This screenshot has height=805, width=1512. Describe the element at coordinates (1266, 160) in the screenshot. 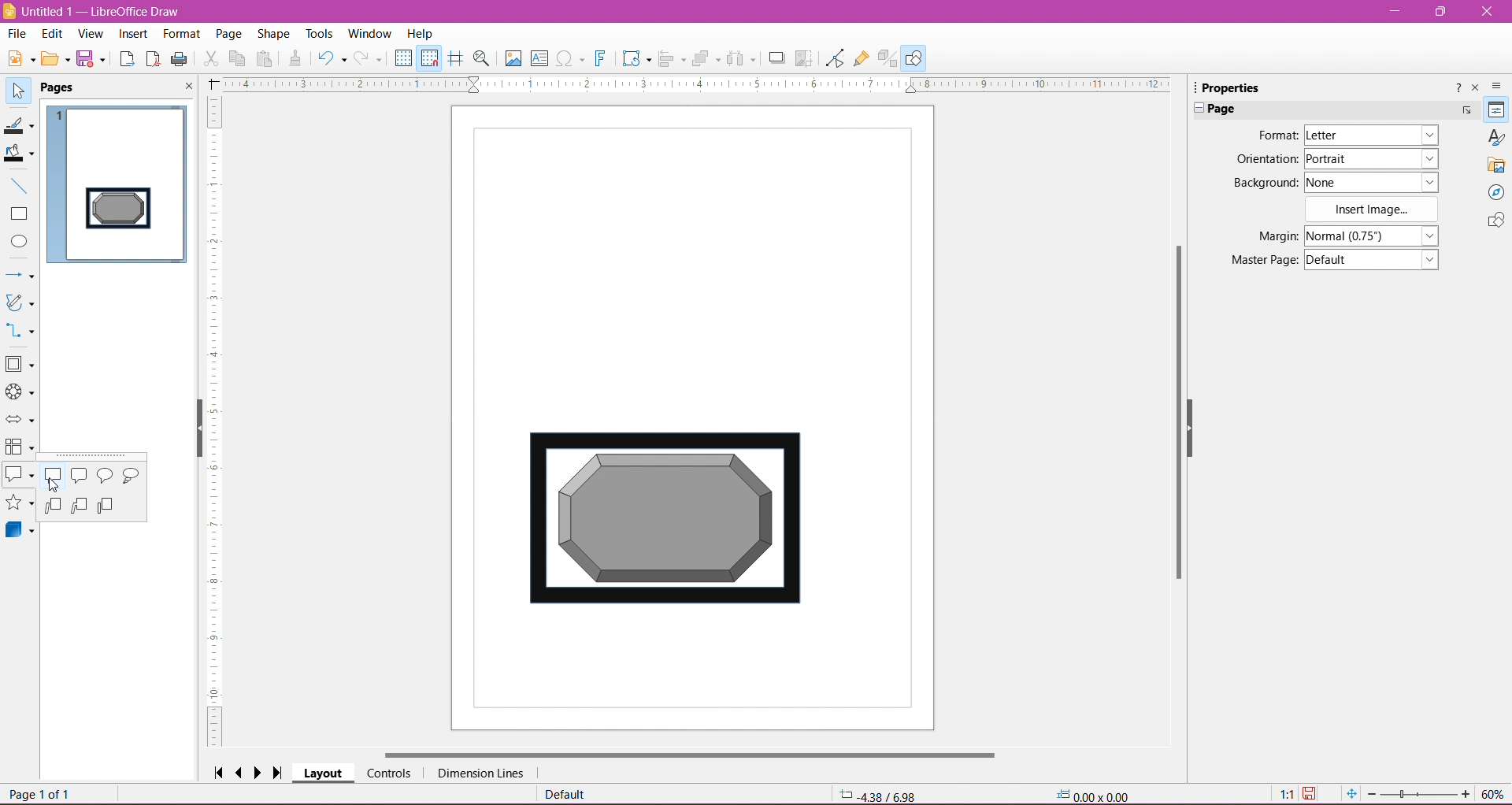

I see `Orientation` at that location.